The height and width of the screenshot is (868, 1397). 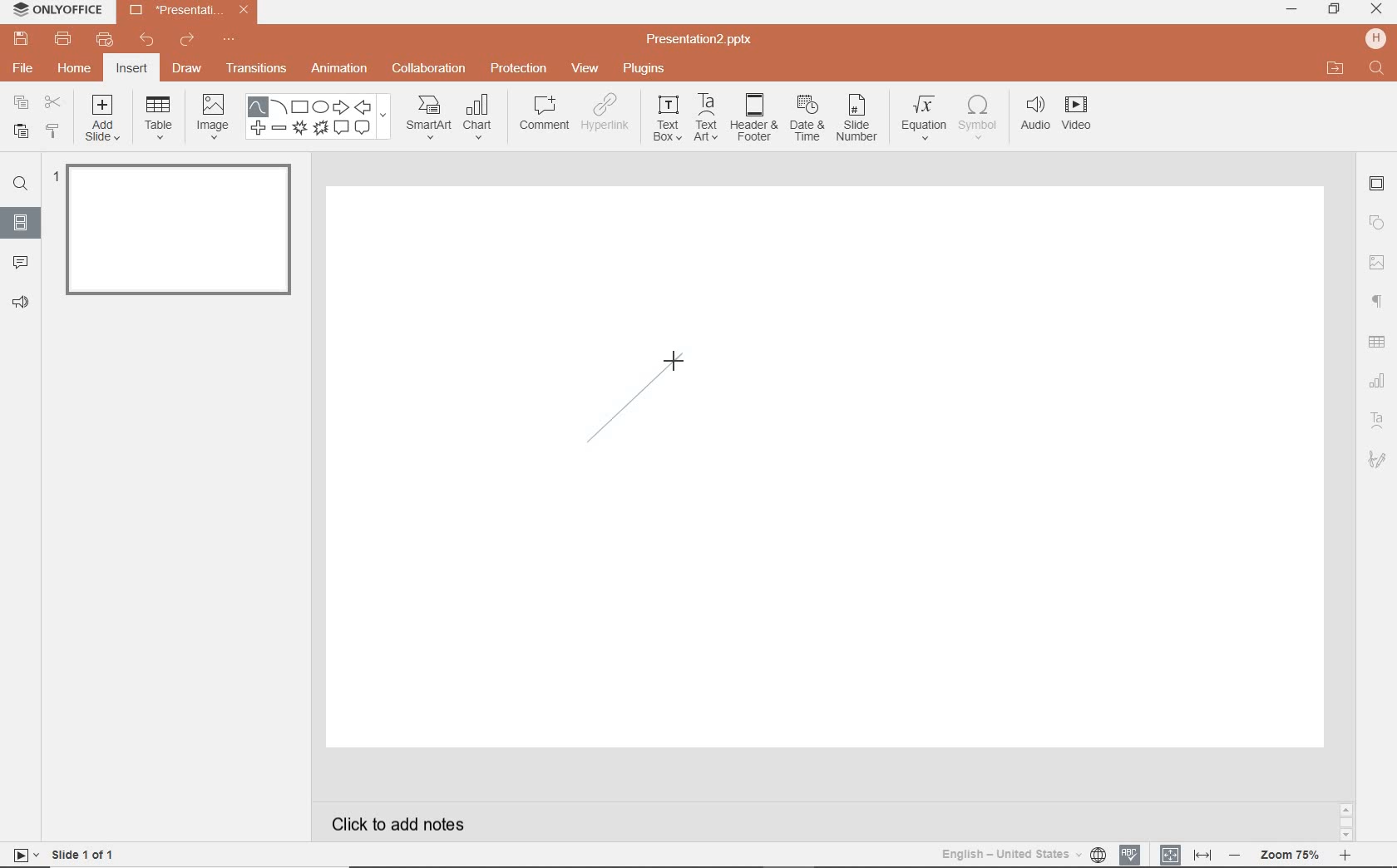 What do you see at coordinates (1380, 379) in the screenshot?
I see `CHART SETTINGS` at bounding box center [1380, 379].